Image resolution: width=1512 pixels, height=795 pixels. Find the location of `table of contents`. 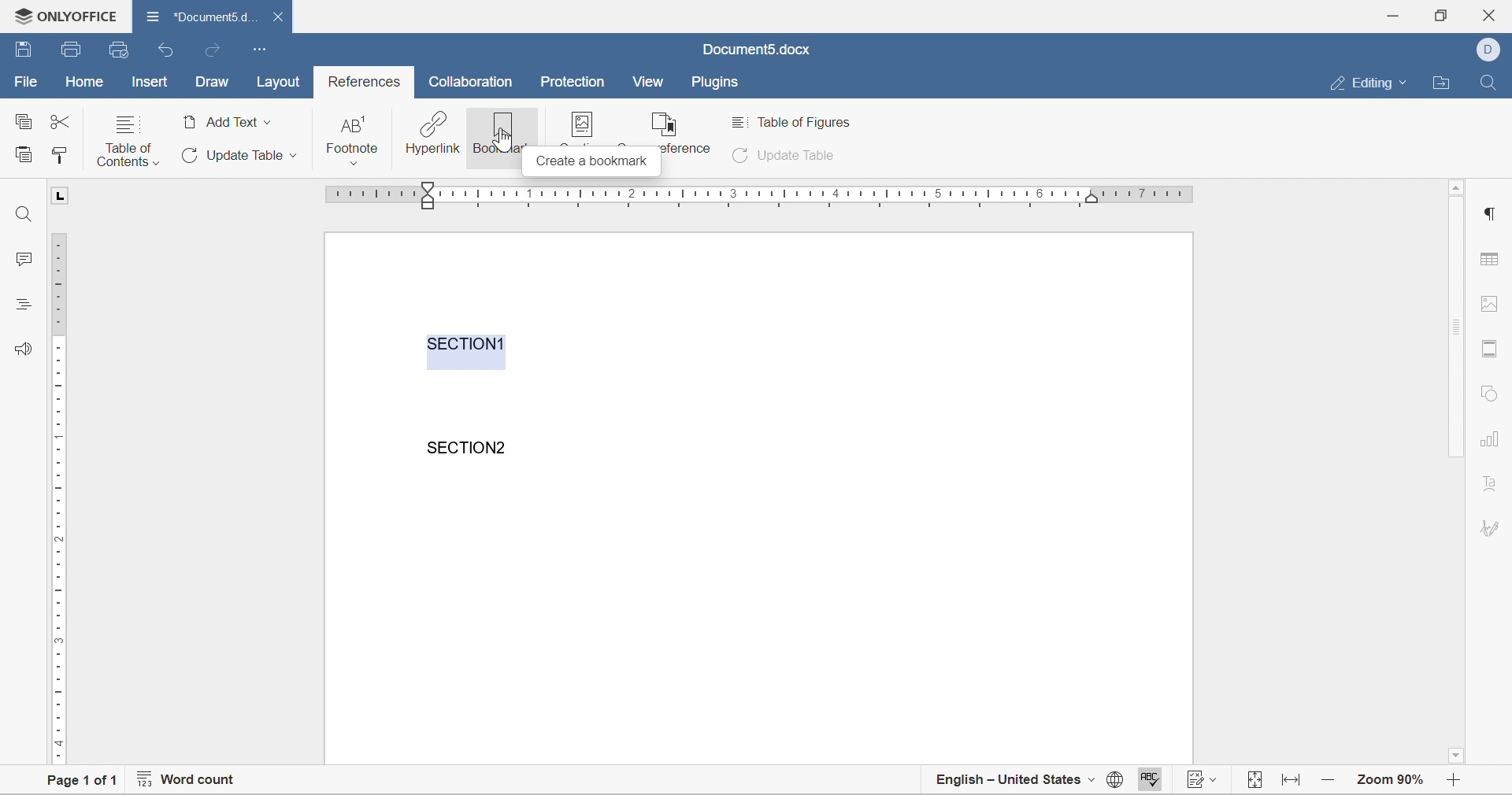

table of contents is located at coordinates (128, 140).